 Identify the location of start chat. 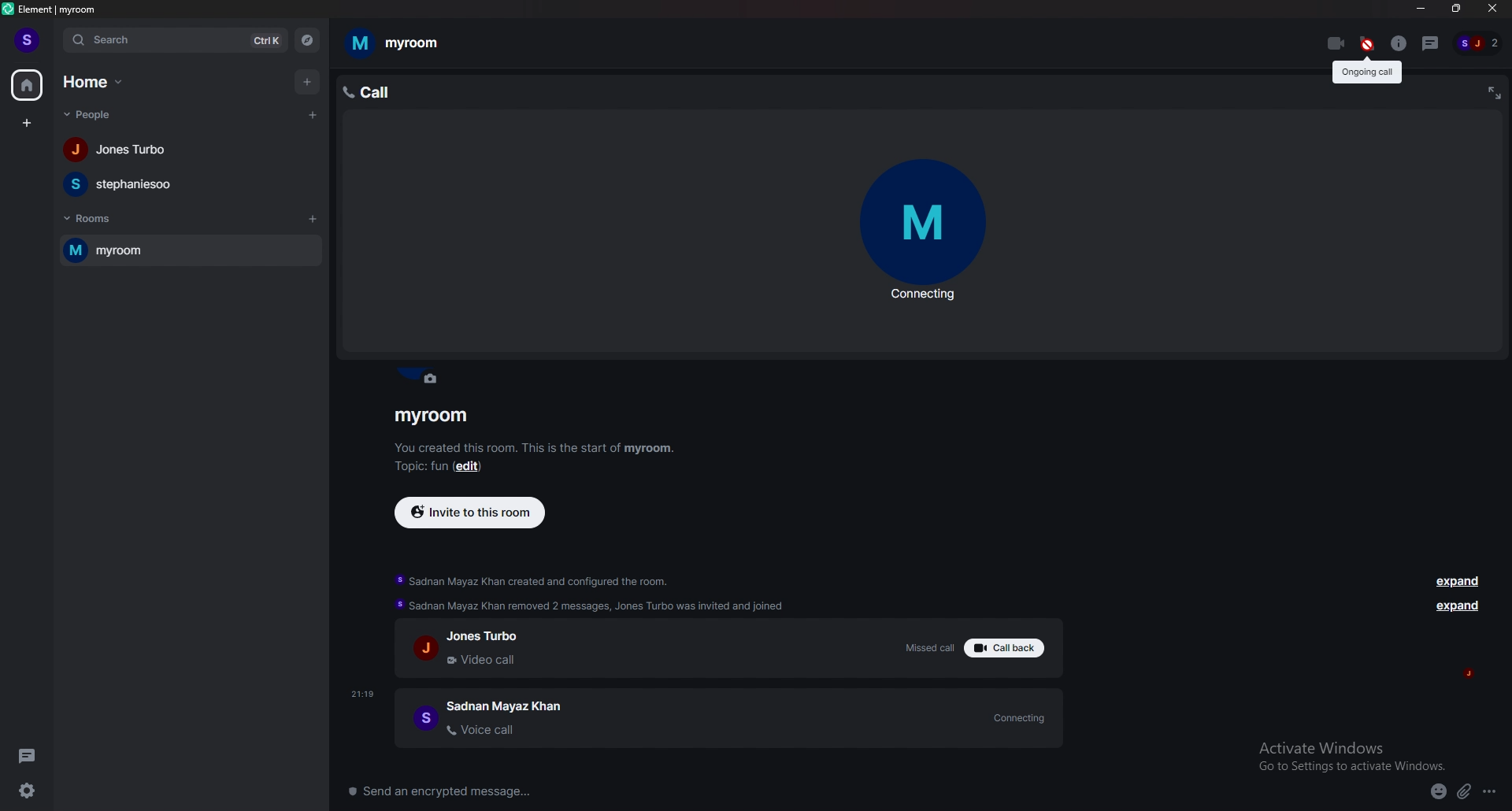
(314, 115).